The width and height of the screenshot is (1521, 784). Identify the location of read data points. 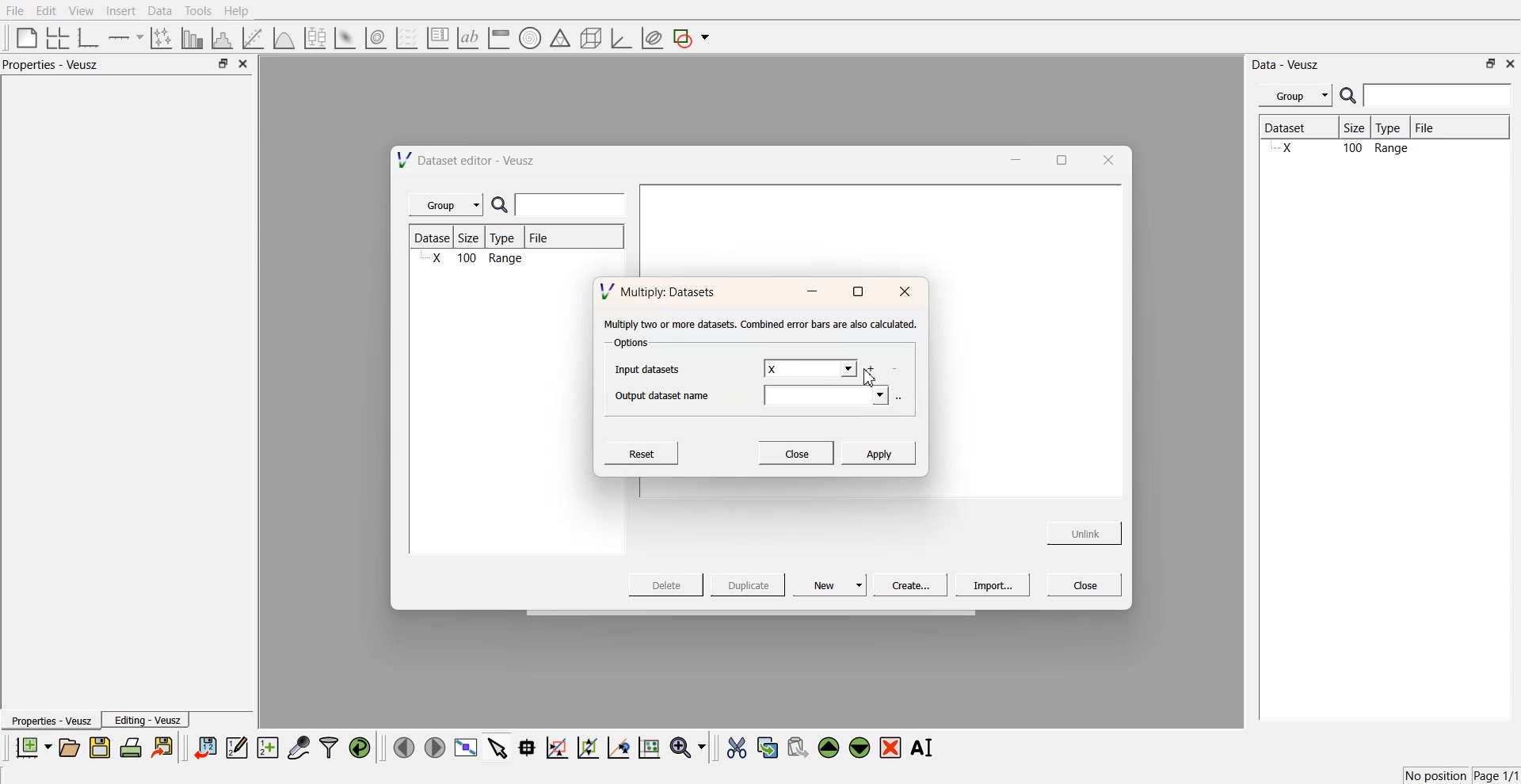
(527, 748).